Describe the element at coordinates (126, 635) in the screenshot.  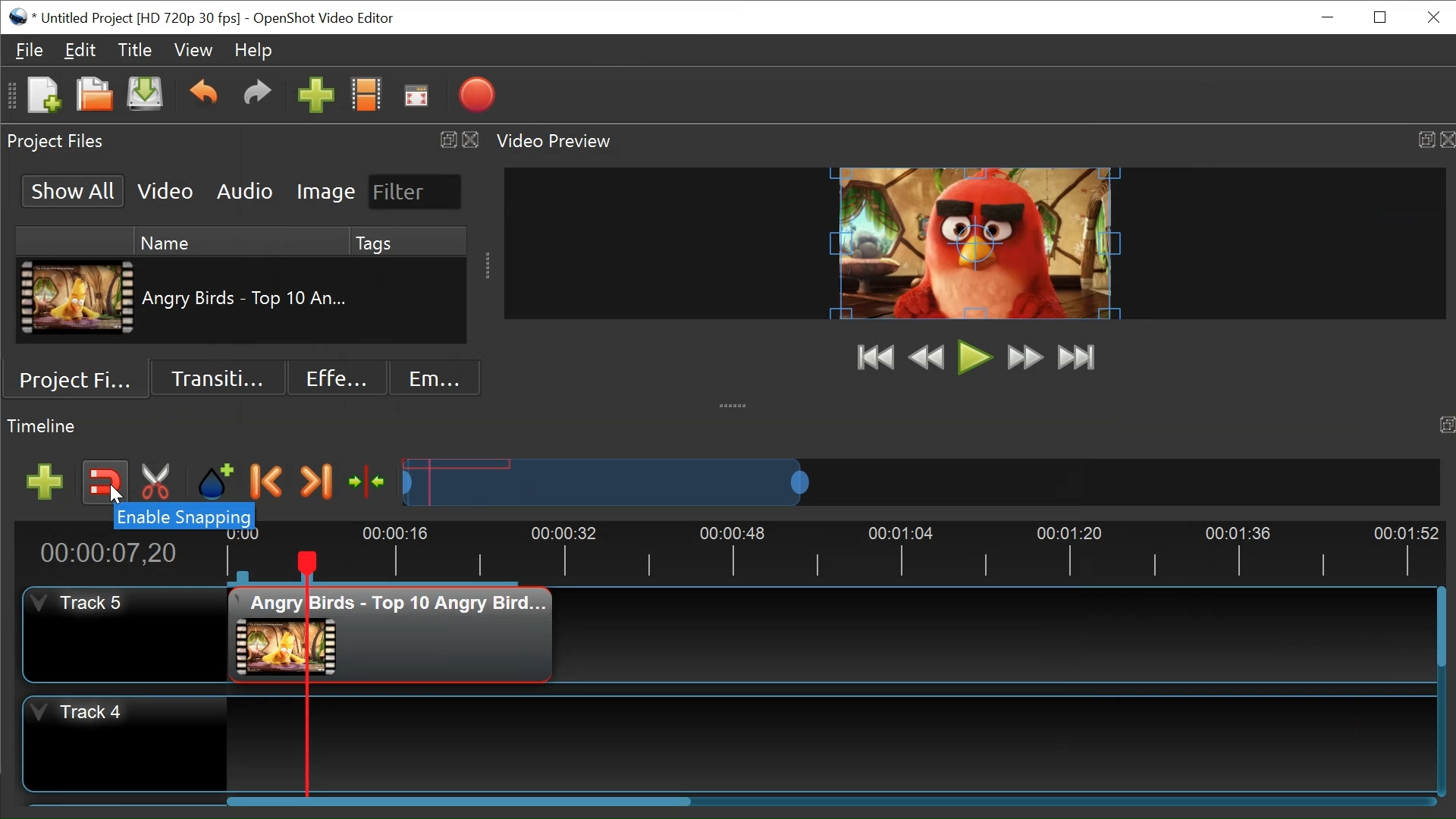
I see `Track Header` at that location.